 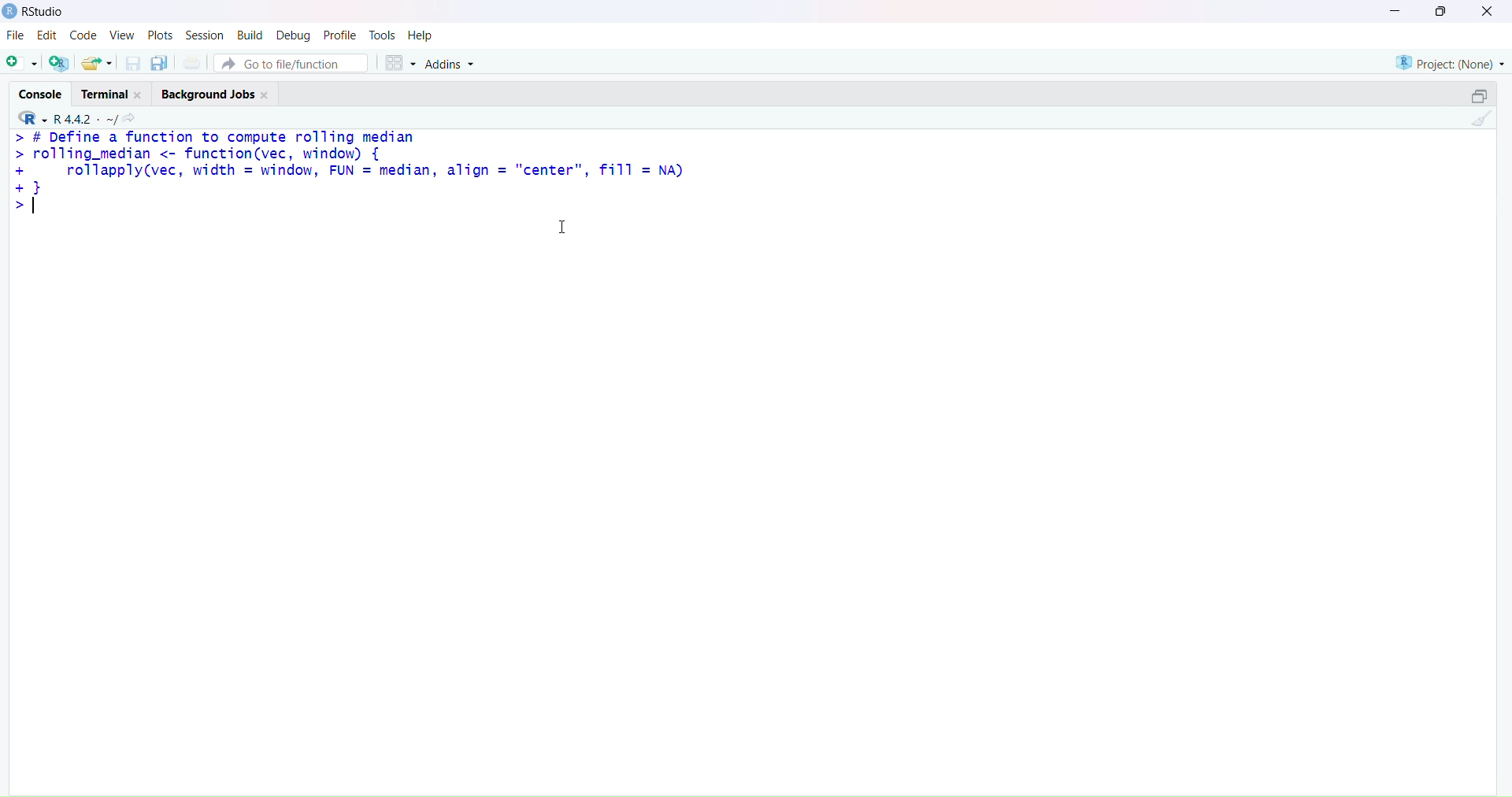 I want to click on clean, so click(x=1481, y=118).